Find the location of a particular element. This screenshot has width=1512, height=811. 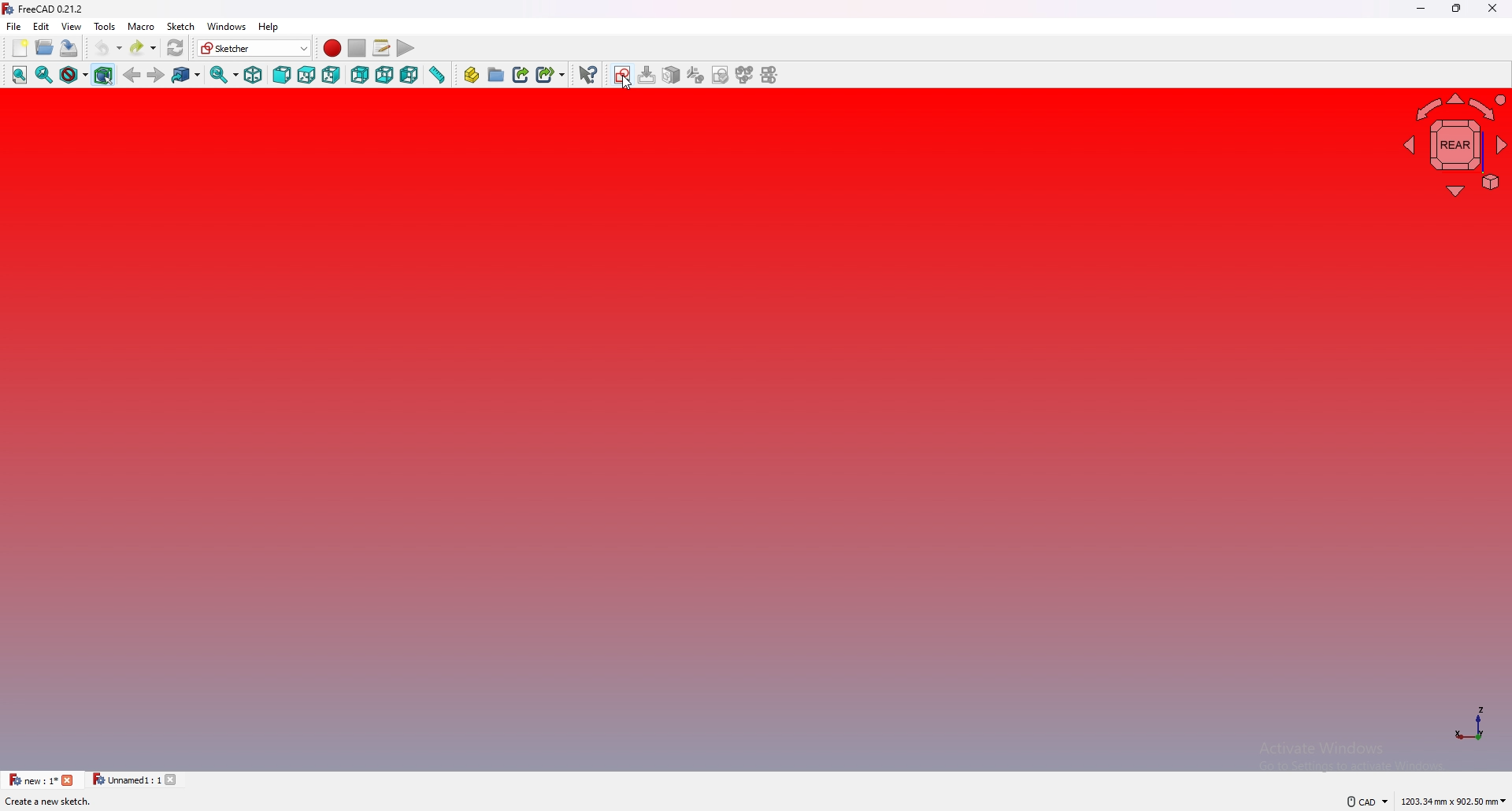

cursor is located at coordinates (627, 83).